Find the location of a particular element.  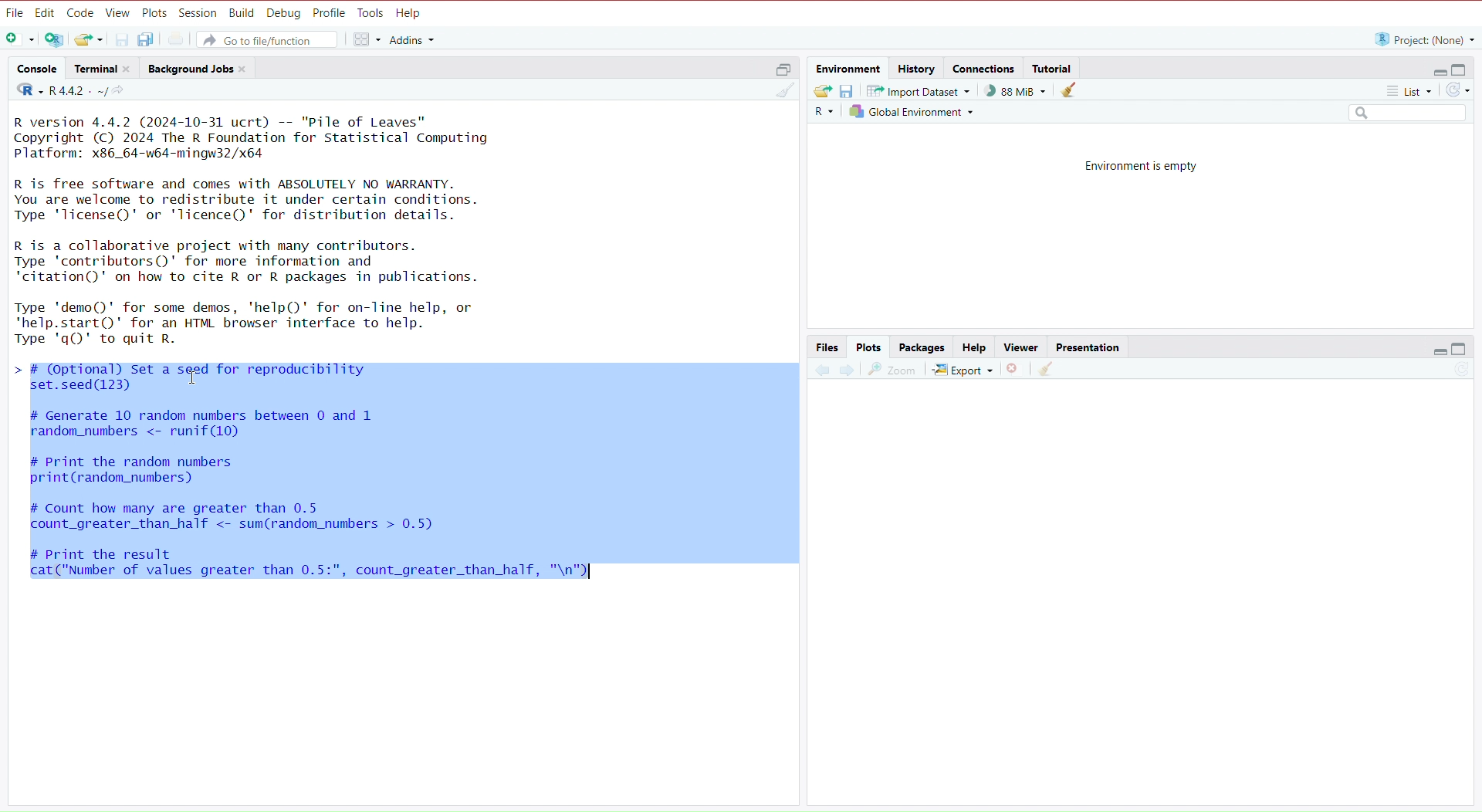

Remove selected is located at coordinates (1015, 370).